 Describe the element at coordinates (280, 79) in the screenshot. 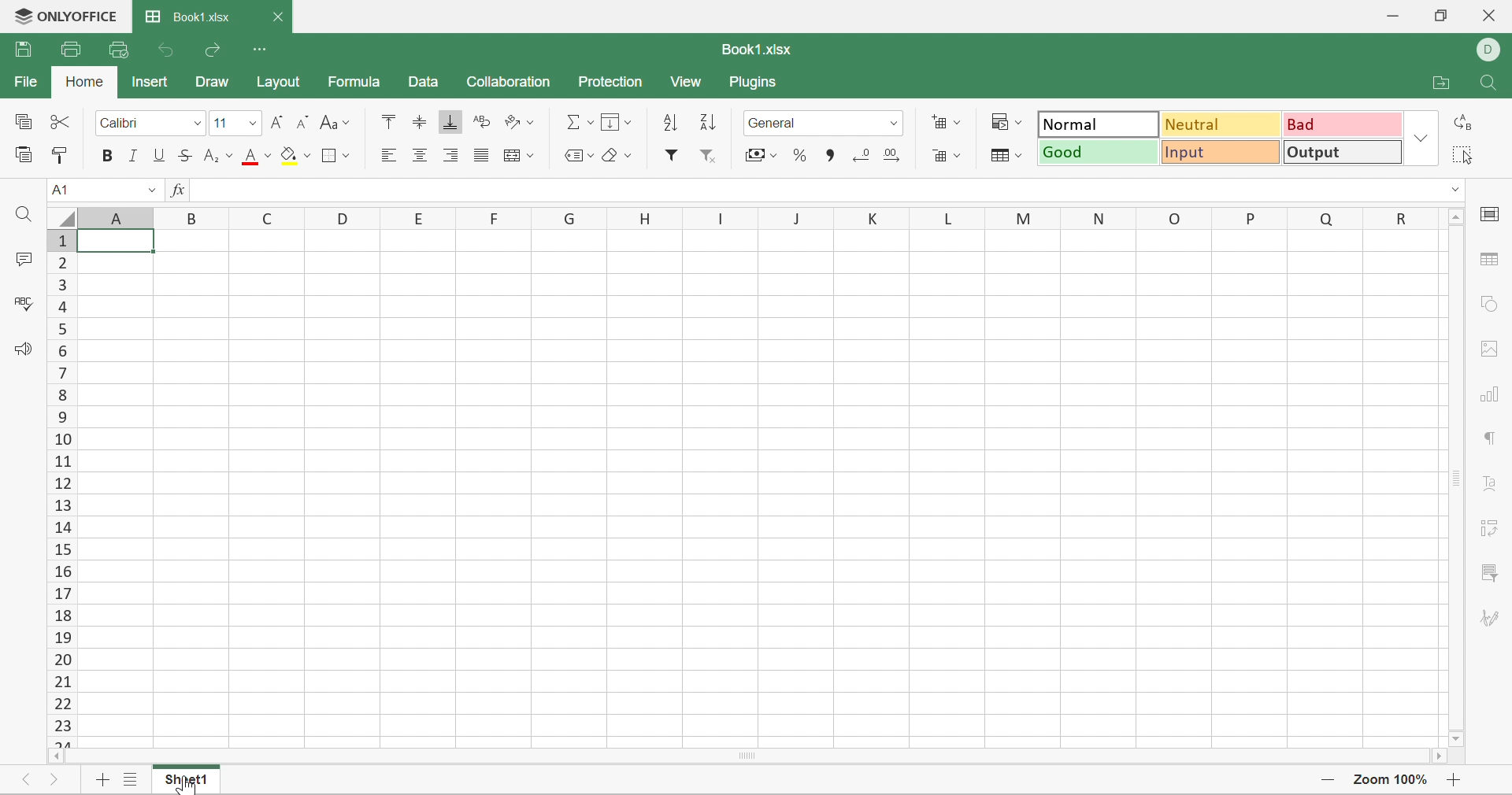

I see `Layout` at that location.